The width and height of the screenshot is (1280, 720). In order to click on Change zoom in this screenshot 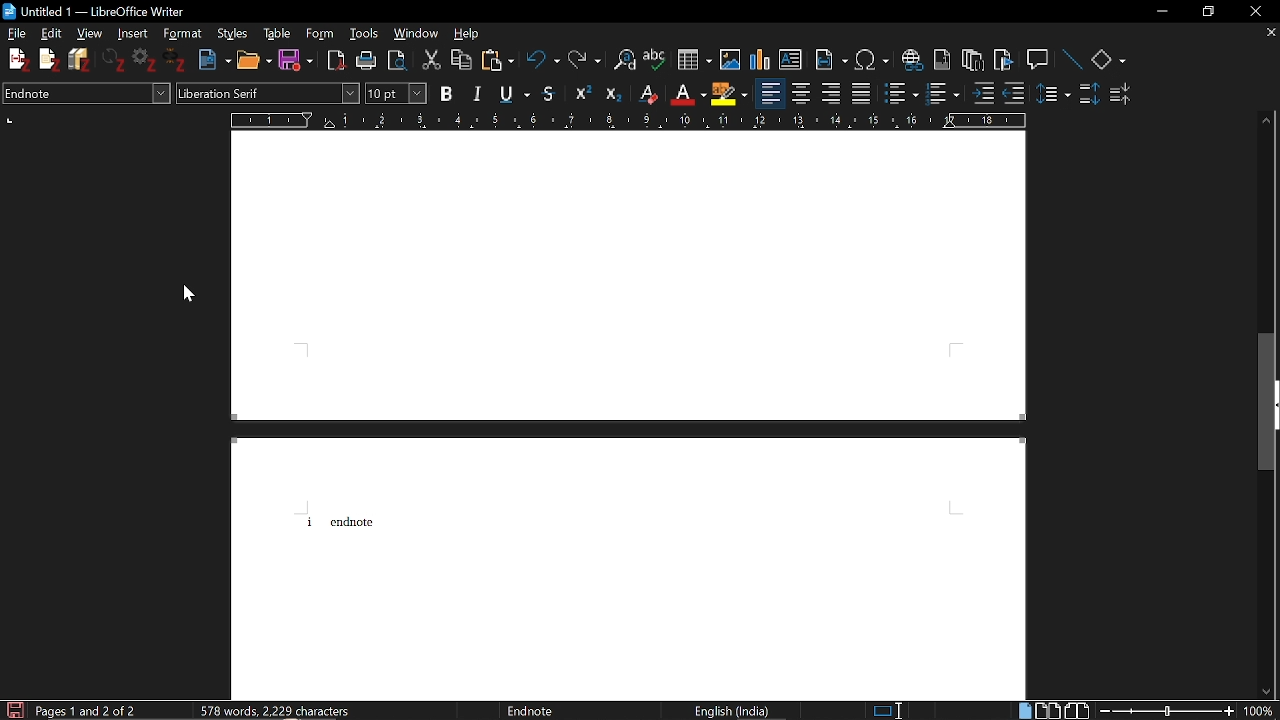, I will do `click(1167, 711)`.